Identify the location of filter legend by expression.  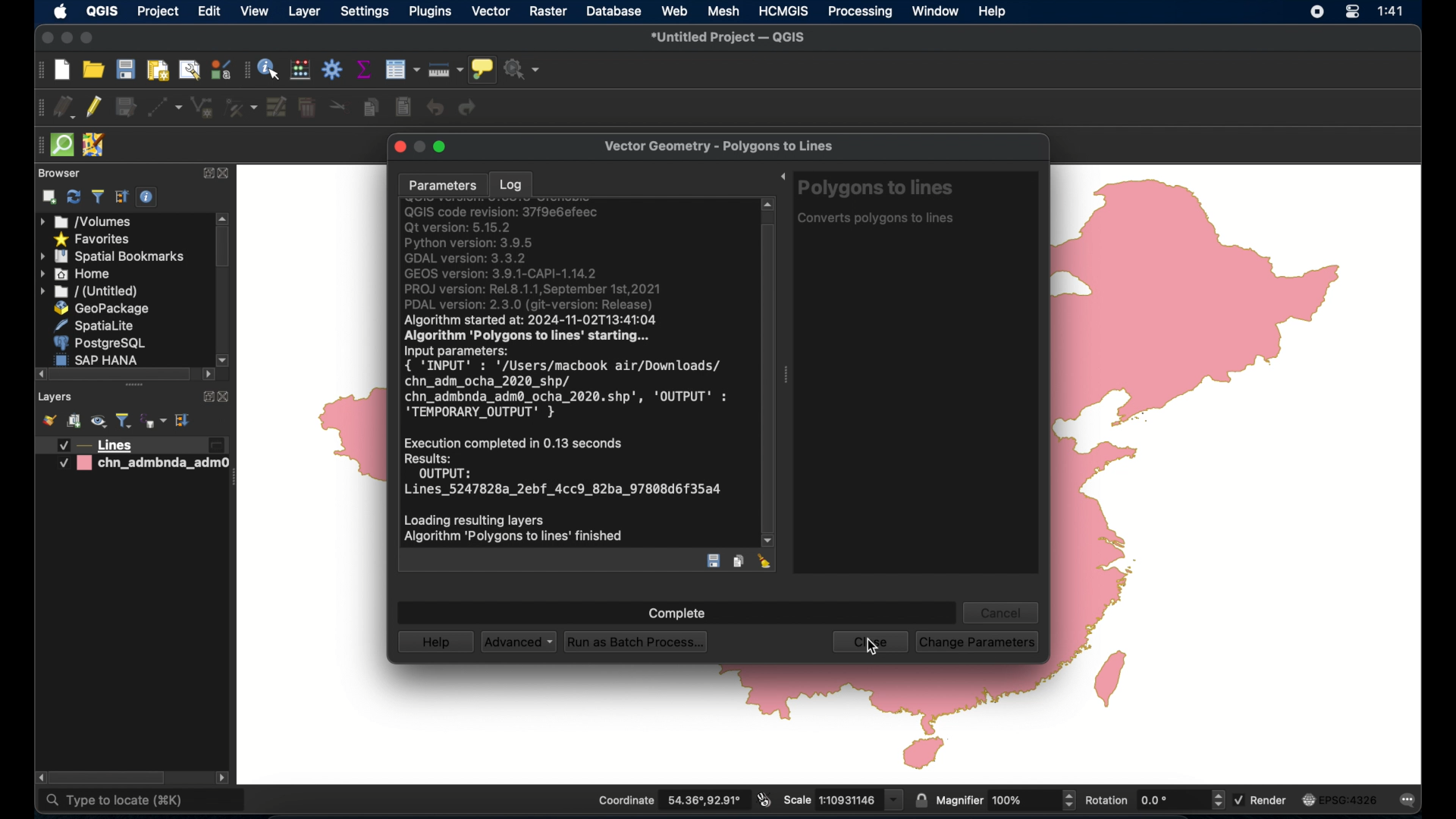
(152, 421).